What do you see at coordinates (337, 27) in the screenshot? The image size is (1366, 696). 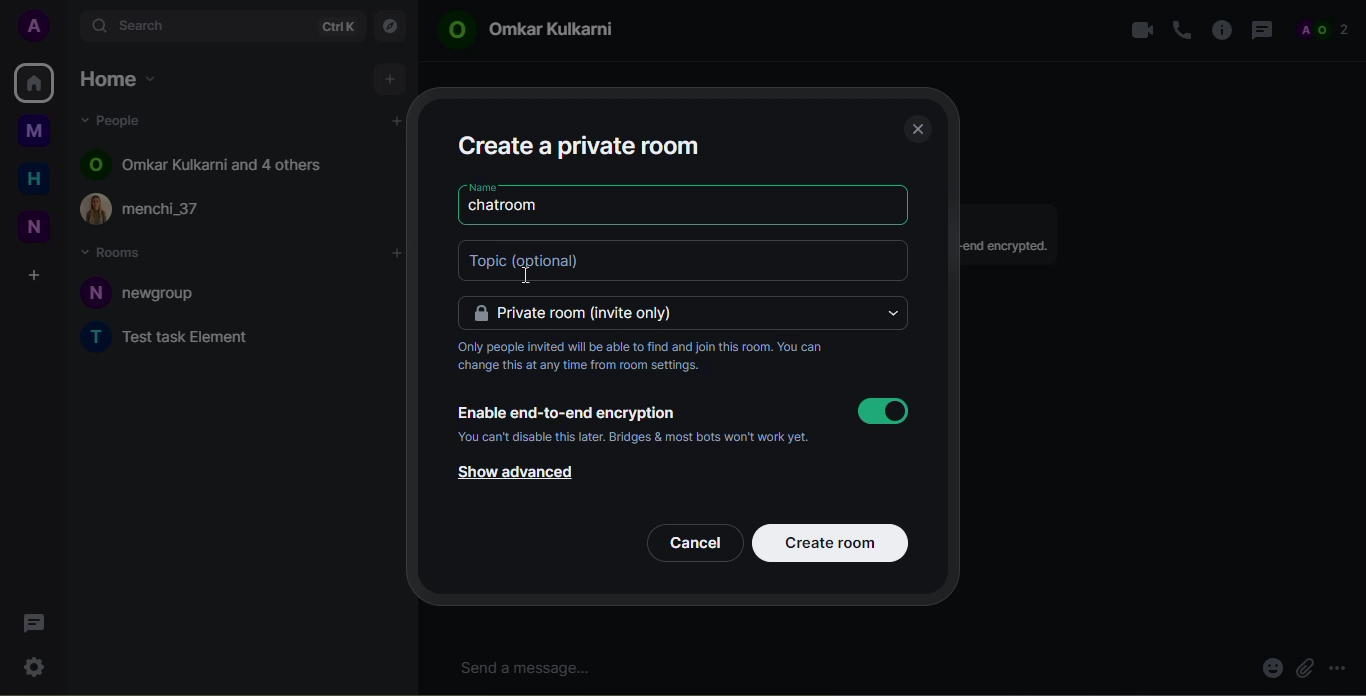 I see `ctrlK` at bounding box center [337, 27].